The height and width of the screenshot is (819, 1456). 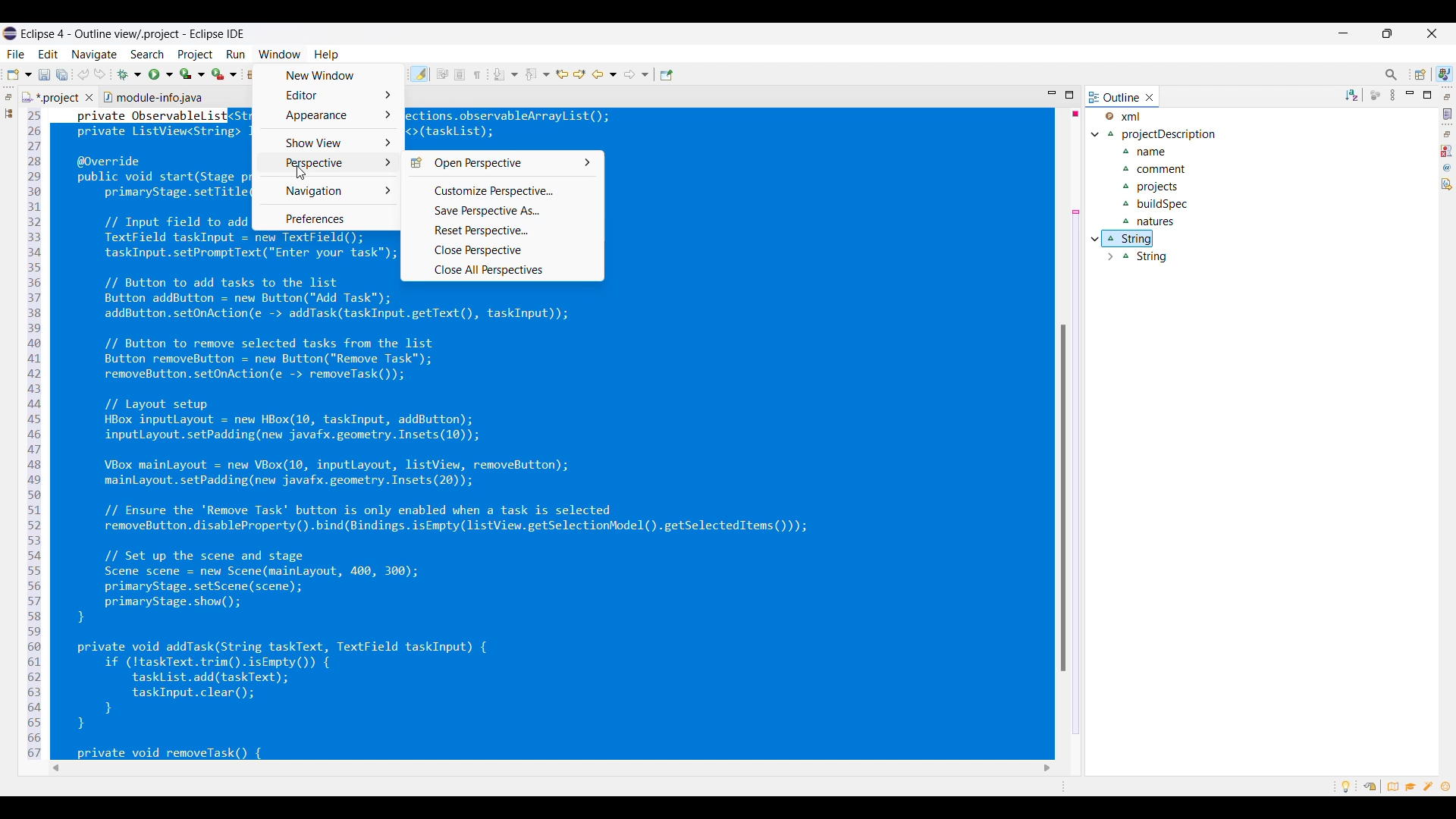 I want to click on Reset perspective, so click(x=502, y=231).